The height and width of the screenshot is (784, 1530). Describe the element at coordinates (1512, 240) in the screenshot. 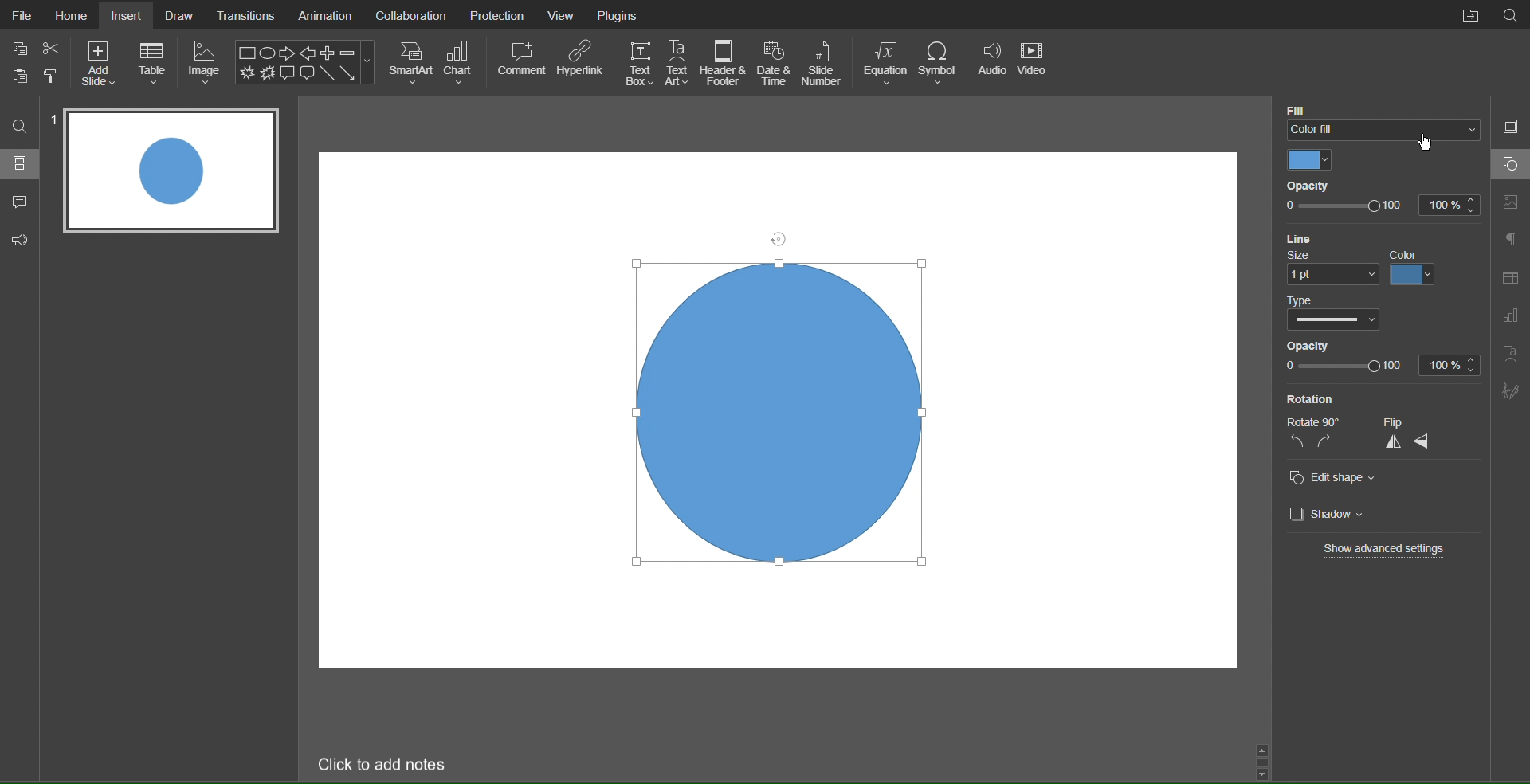

I see `Paragraph Settings` at that location.